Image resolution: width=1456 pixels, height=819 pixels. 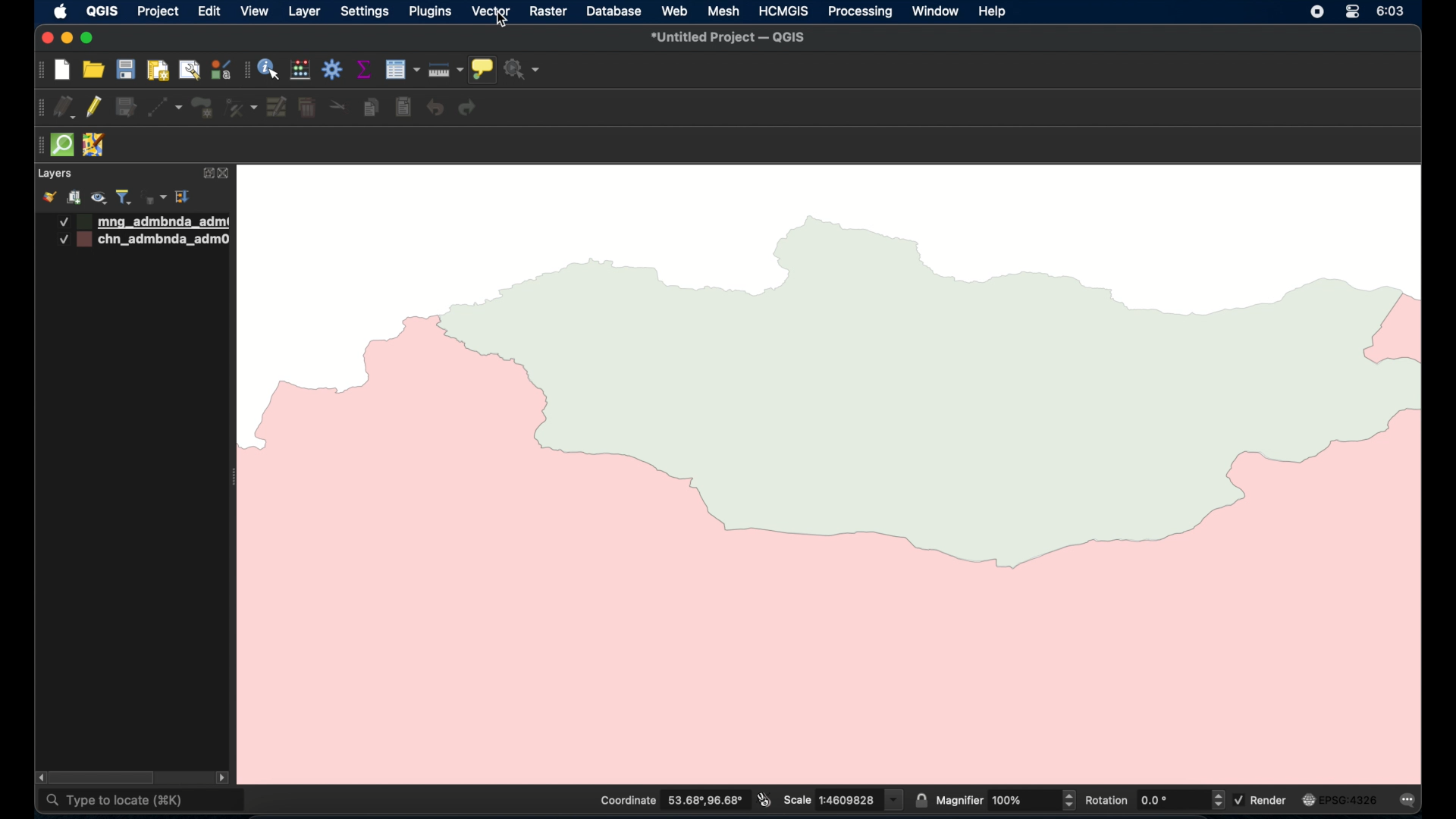 I want to click on HCMGIS, so click(x=782, y=11).